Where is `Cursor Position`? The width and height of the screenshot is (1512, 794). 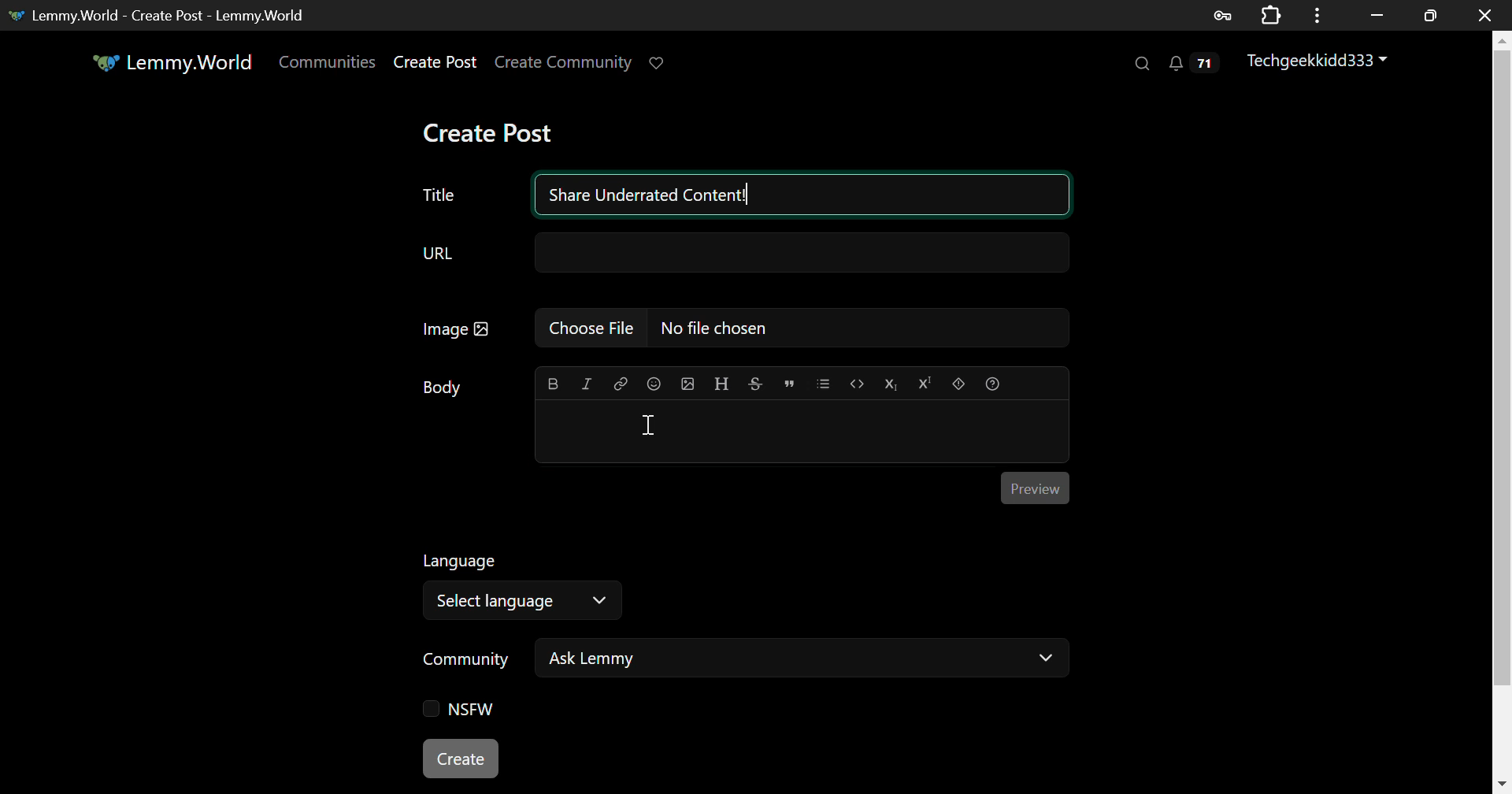 Cursor Position is located at coordinates (648, 424).